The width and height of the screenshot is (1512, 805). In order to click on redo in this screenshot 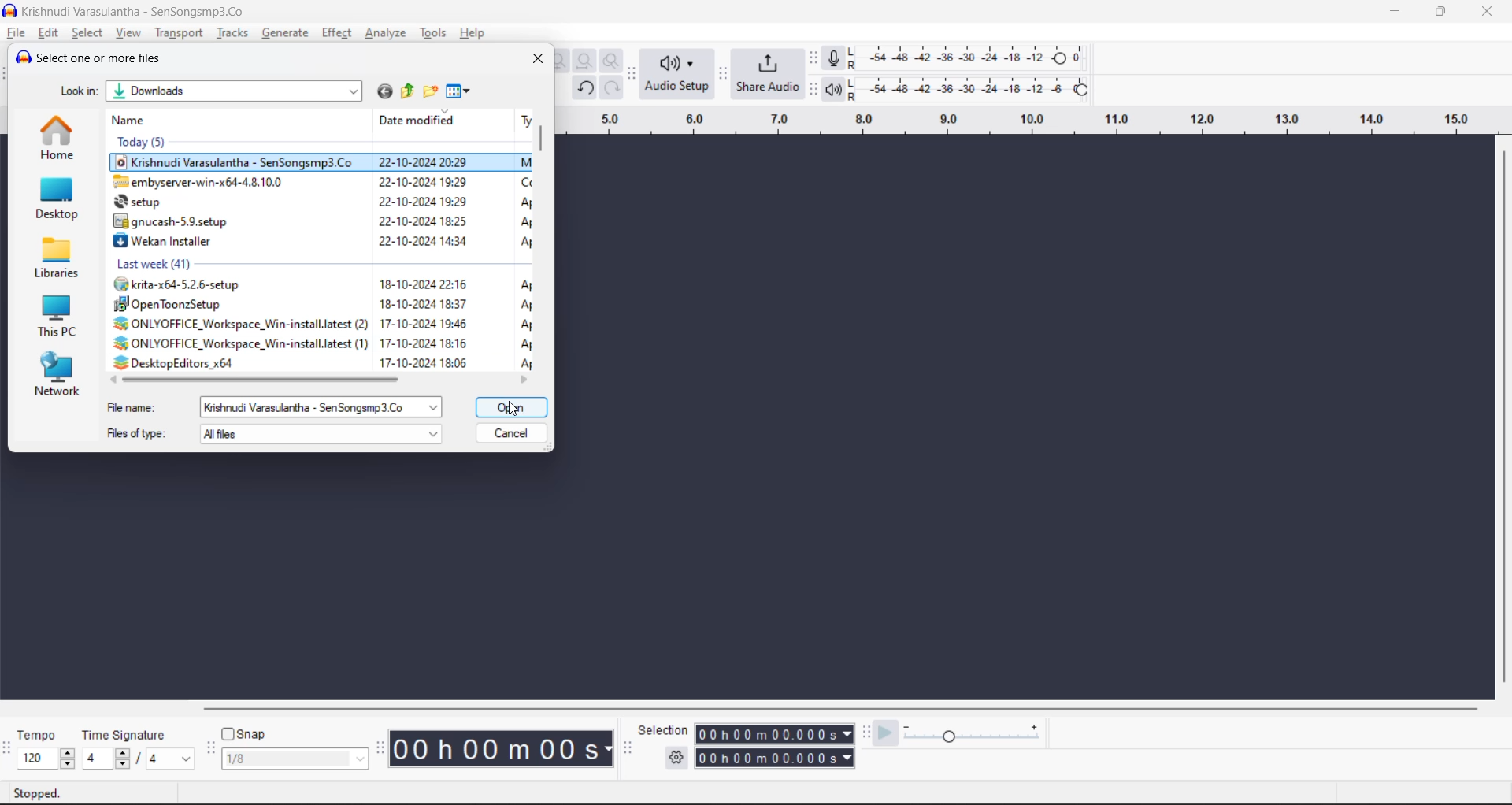, I will do `click(611, 87)`.